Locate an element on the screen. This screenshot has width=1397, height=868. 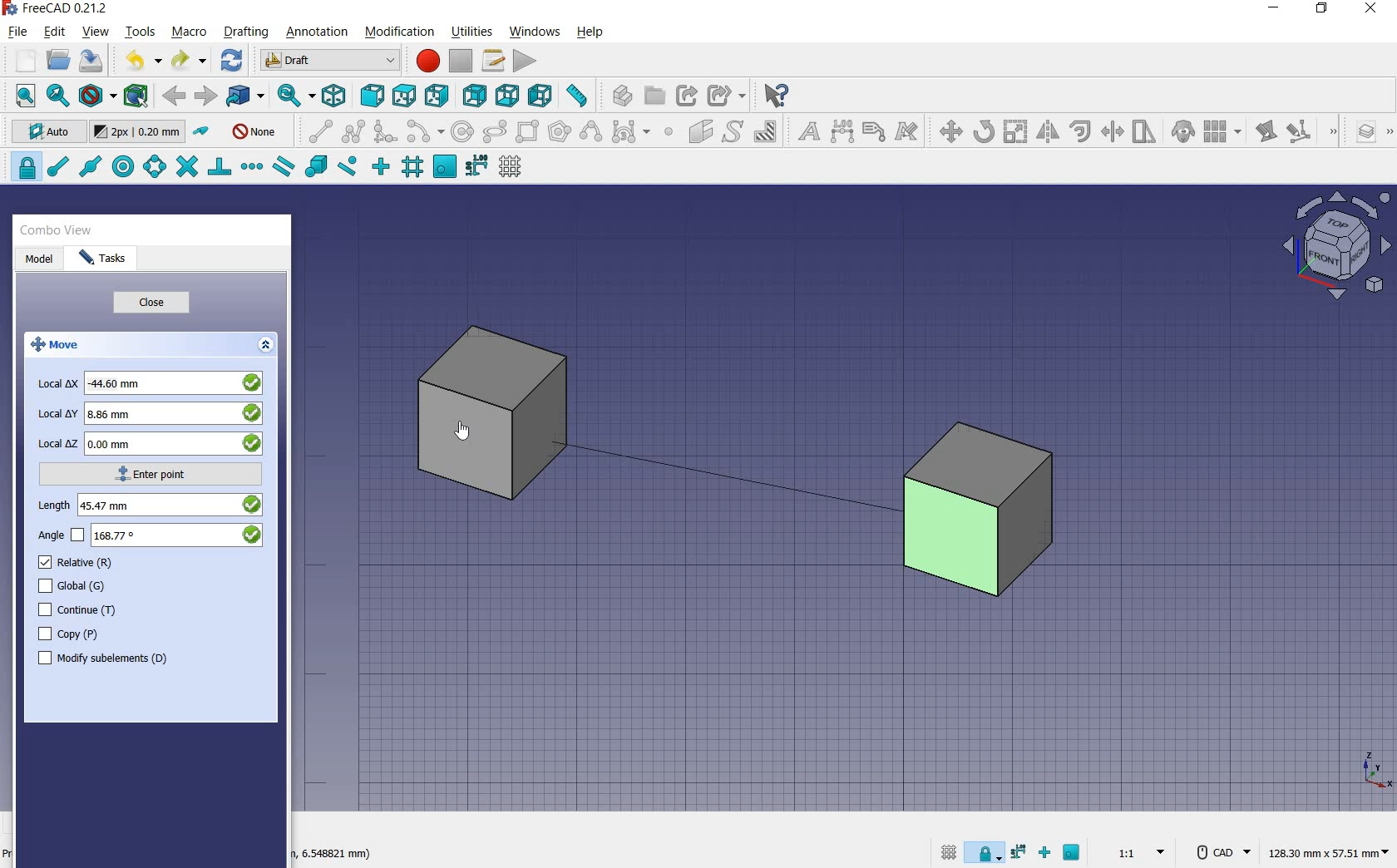
rear is located at coordinates (475, 96).